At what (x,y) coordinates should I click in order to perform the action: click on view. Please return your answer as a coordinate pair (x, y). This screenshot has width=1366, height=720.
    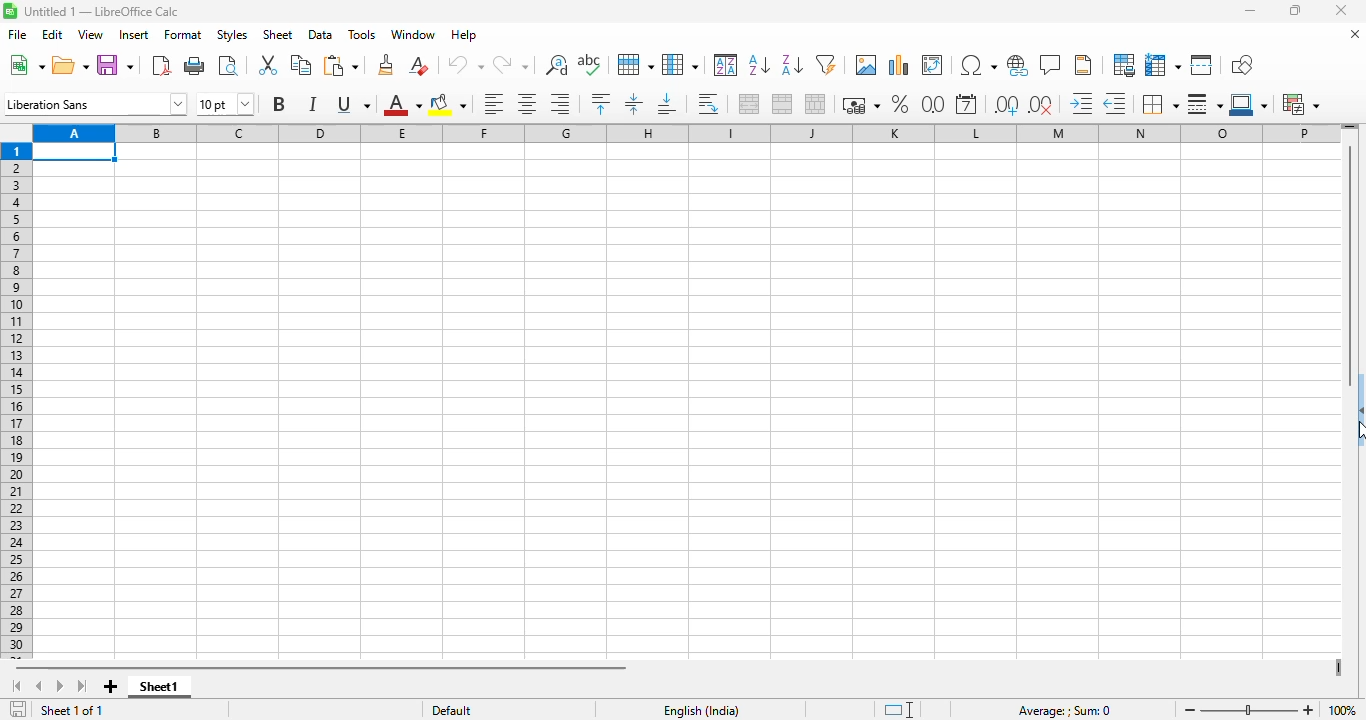
    Looking at the image, I should click on (90, 35).